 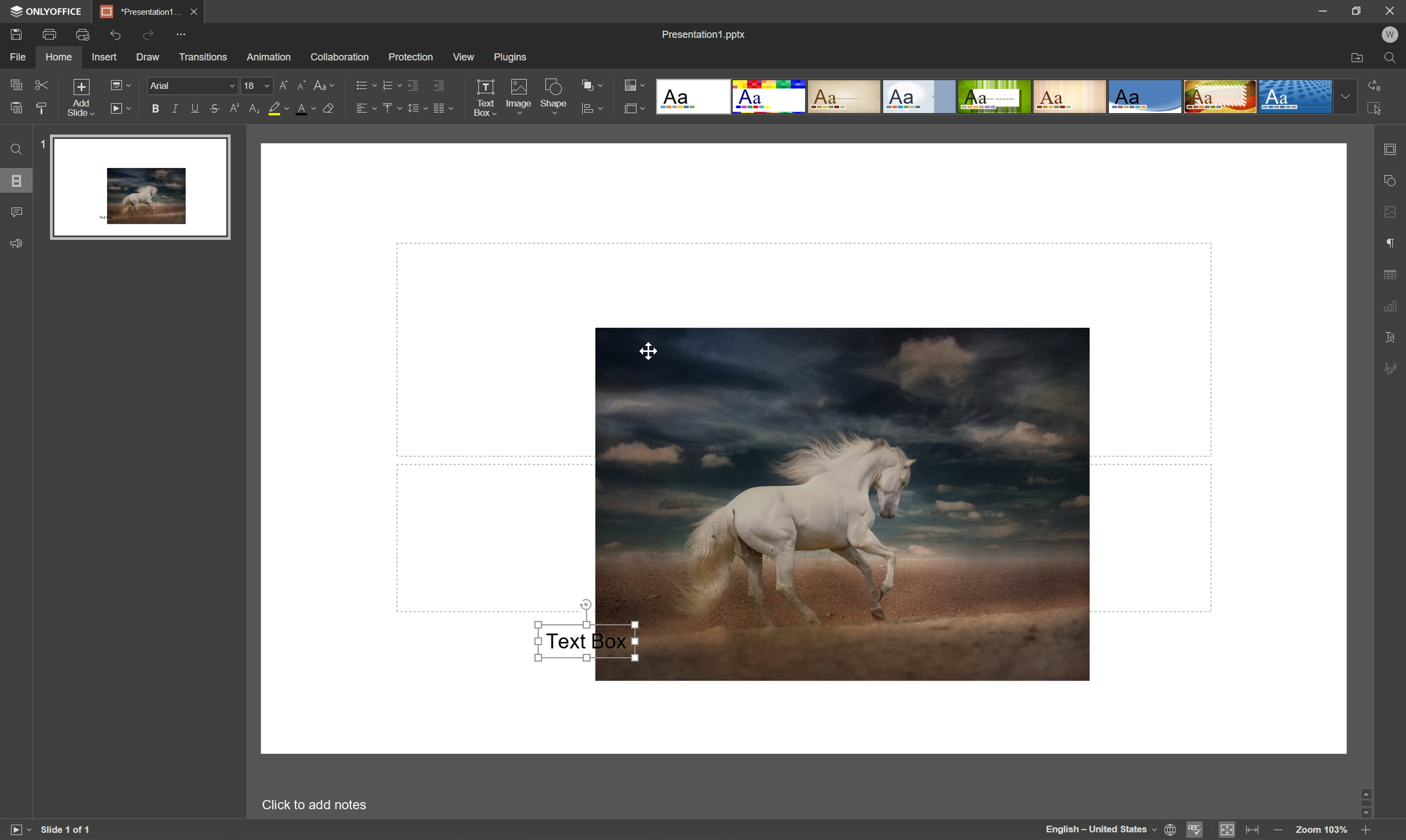 I want to click on Open file location, so click(x=1357, y=56).